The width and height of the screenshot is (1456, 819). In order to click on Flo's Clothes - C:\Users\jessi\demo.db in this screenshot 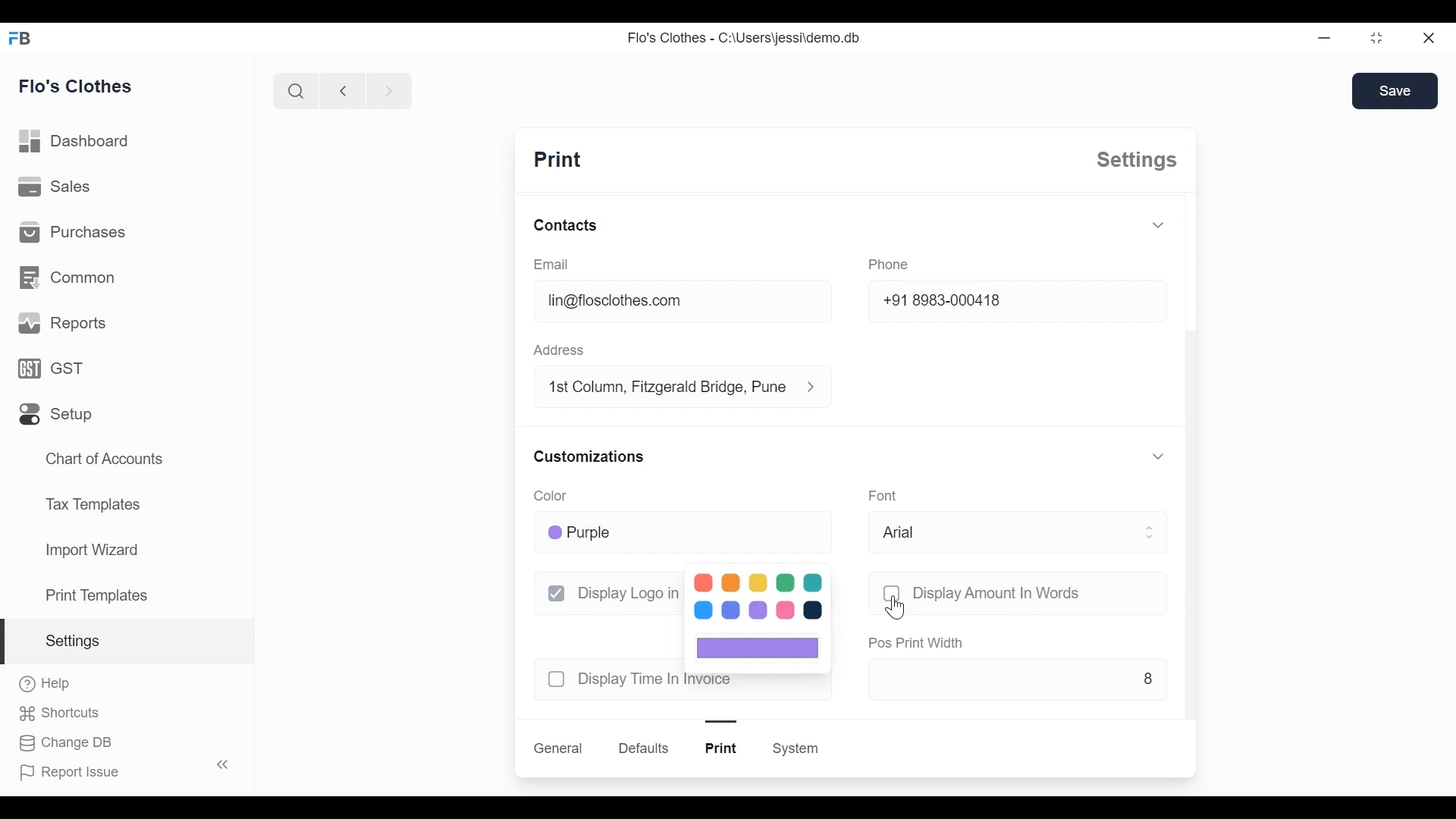, I will do `click(745, 37)`.